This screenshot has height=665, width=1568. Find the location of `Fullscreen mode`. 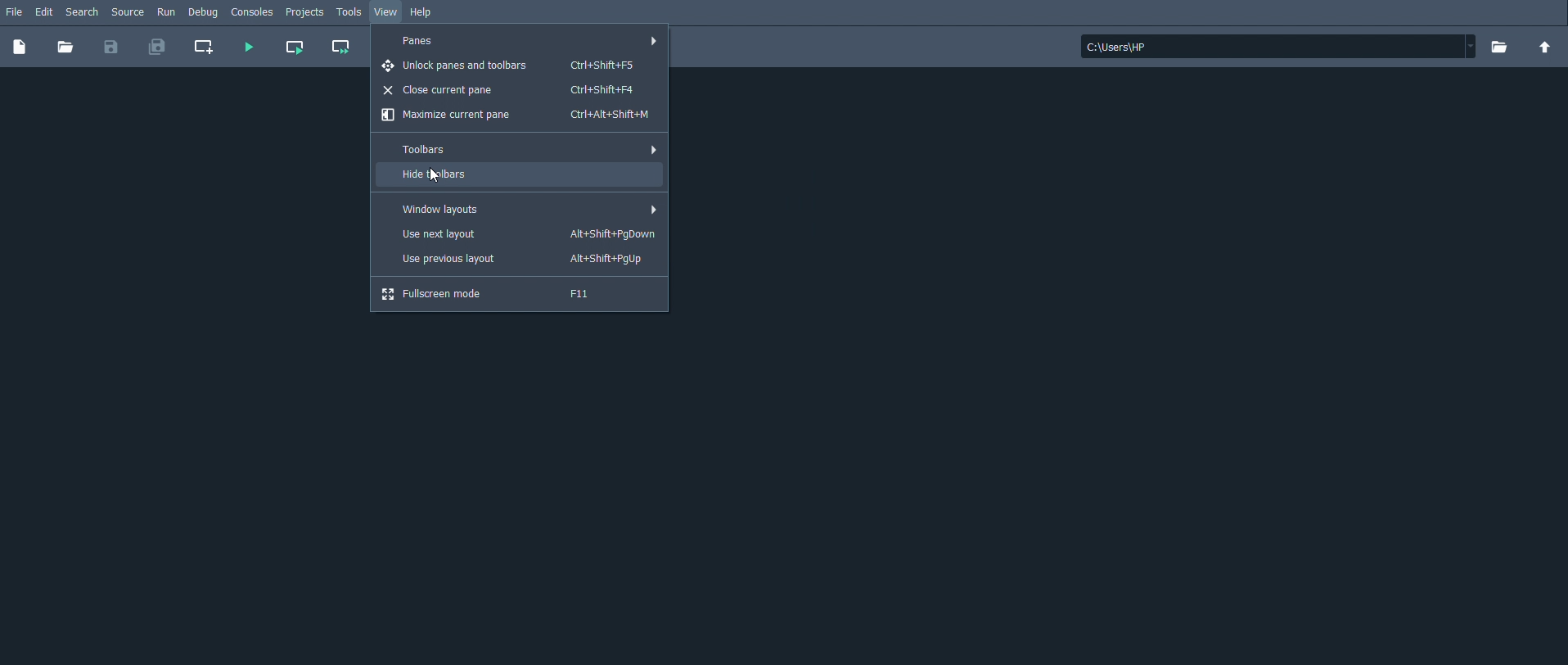

Fullscreen mode is located at coordinates (497, 295).